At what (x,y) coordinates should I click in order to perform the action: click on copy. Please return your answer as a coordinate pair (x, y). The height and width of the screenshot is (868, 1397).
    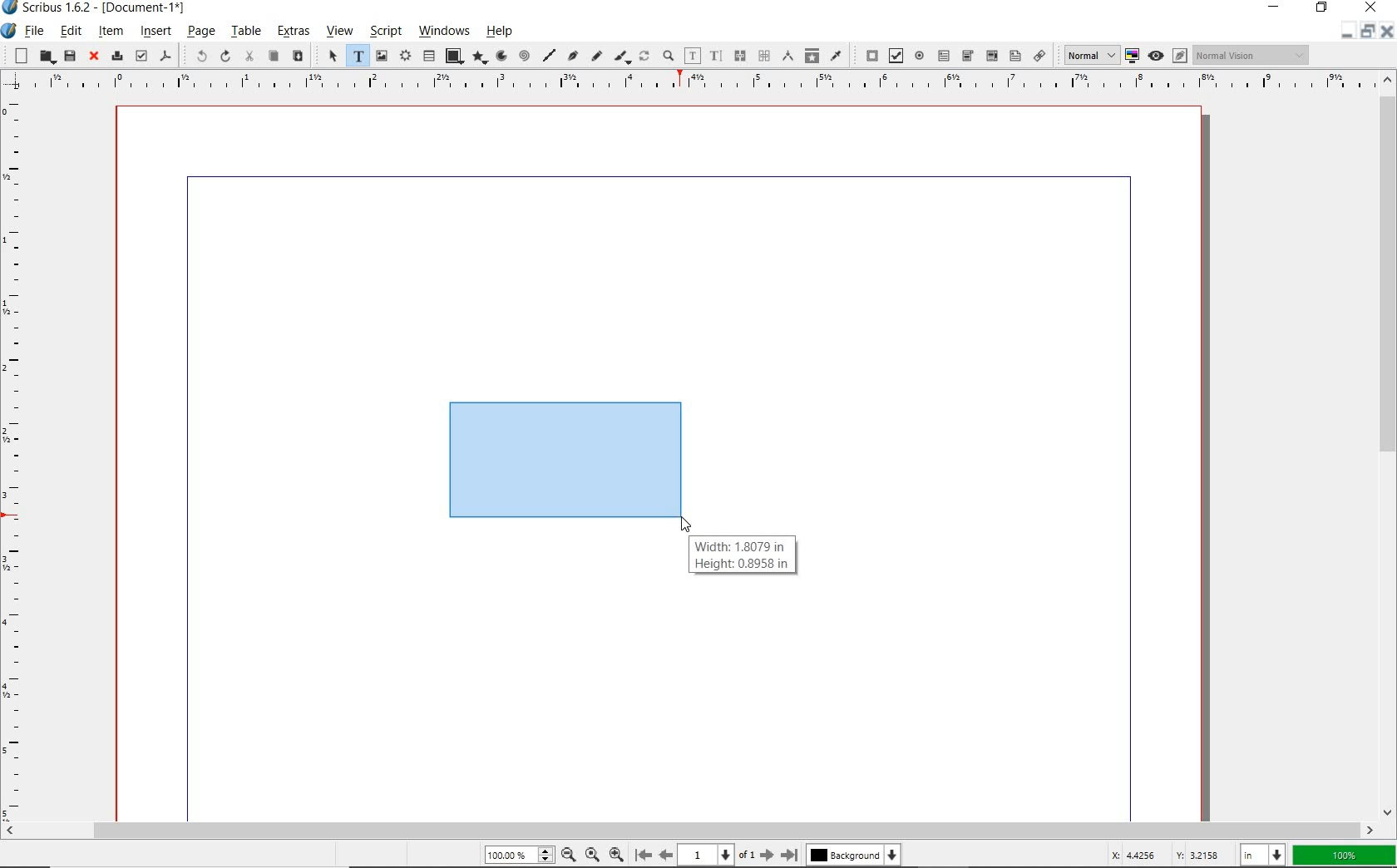
    Looking at the image, I should click on (274, 57).